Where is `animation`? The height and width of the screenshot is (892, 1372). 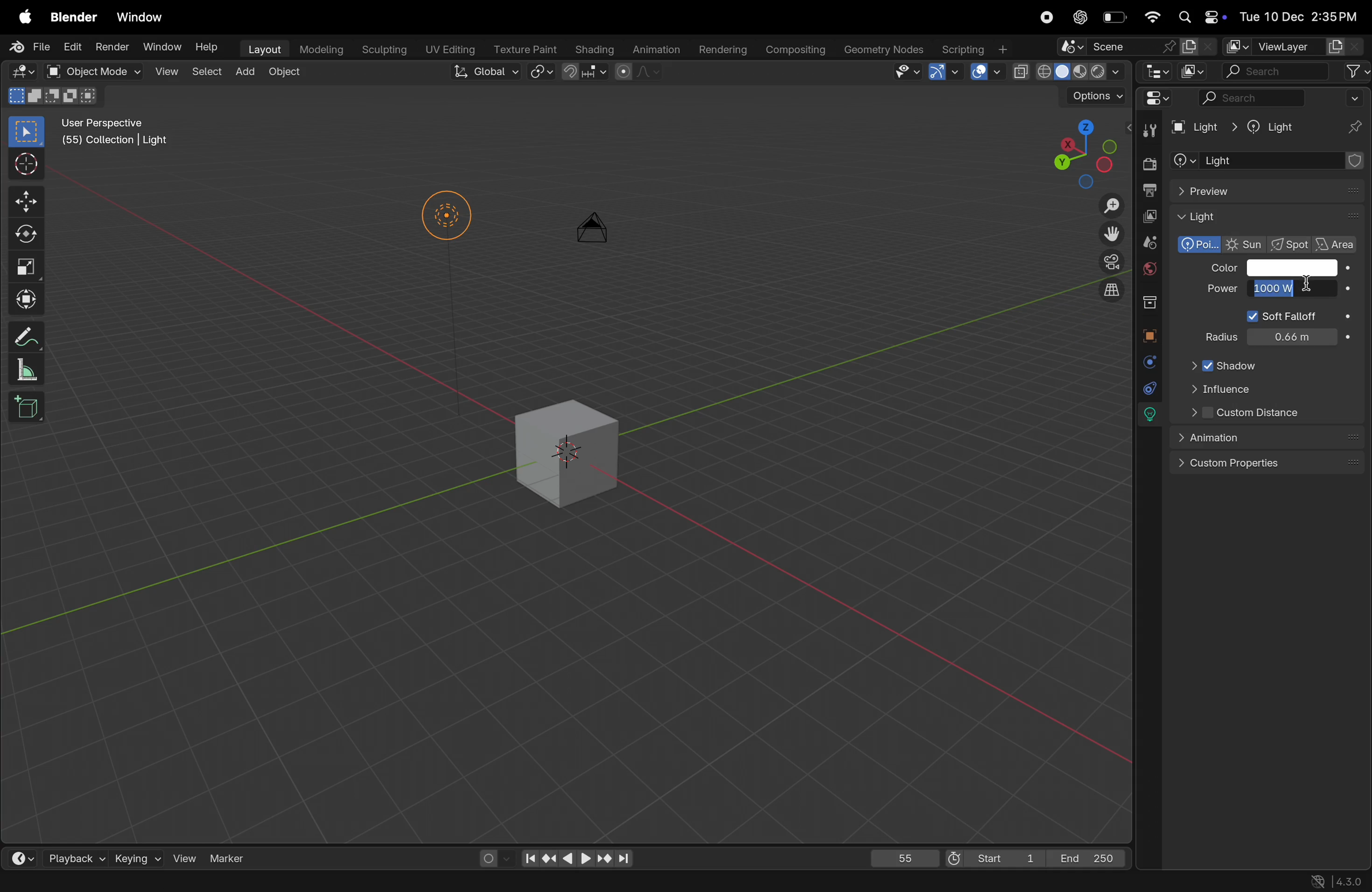 animation is located at coordinates (656, 49).